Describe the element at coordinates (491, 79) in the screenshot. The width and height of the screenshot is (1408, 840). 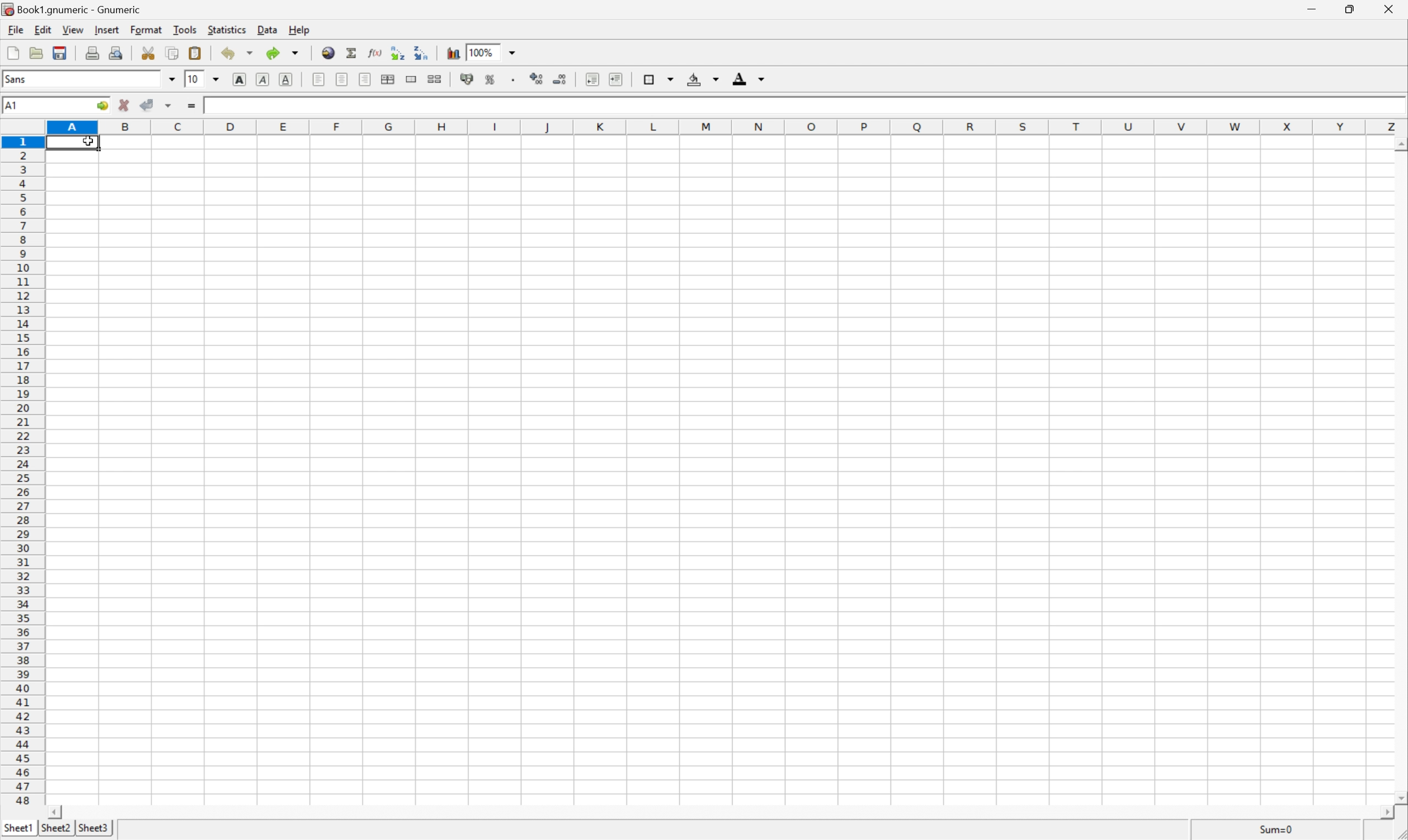
I see `format selection as percentage` at that location.